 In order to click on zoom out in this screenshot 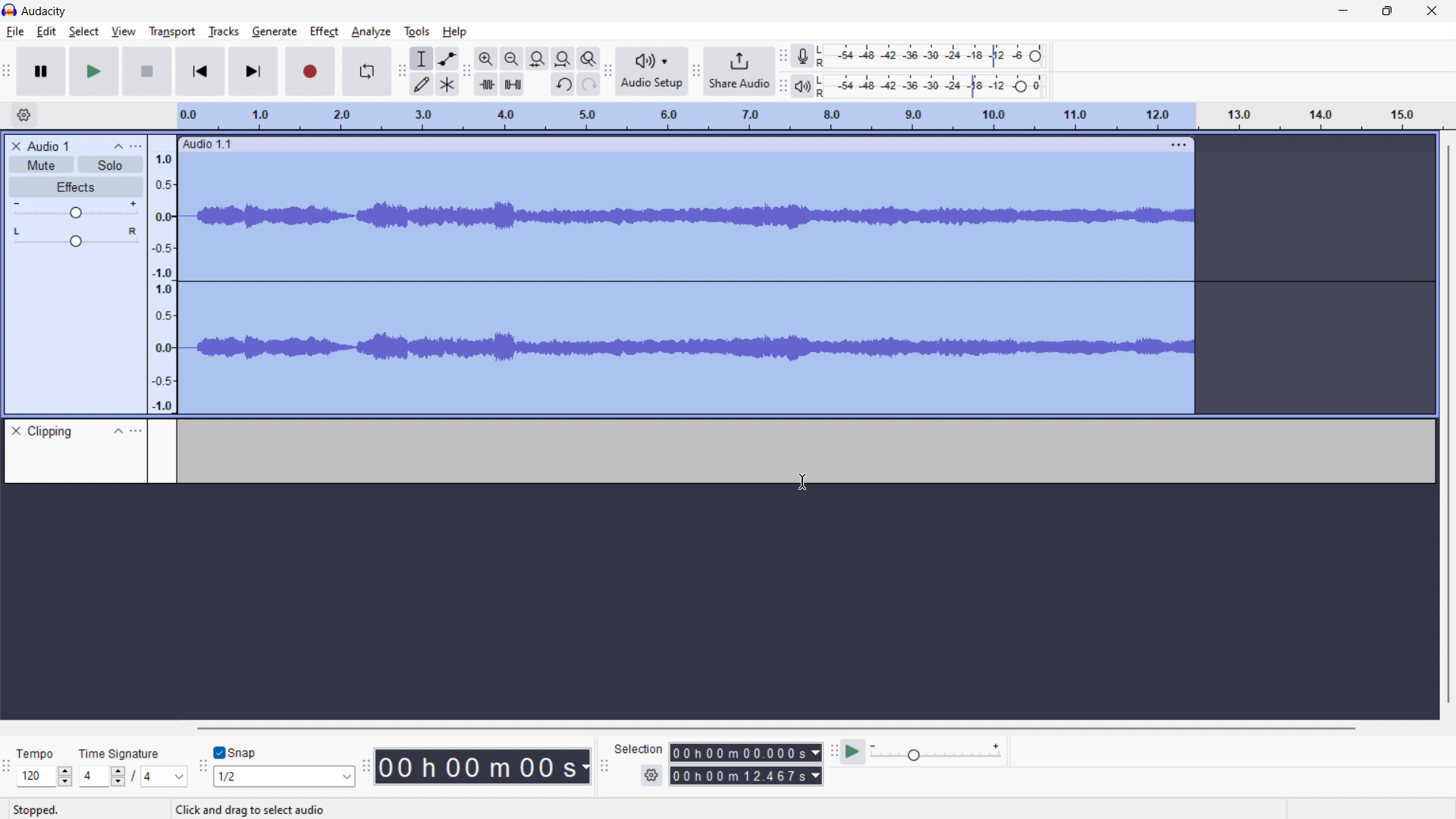, I will do `click(512, 58)`.